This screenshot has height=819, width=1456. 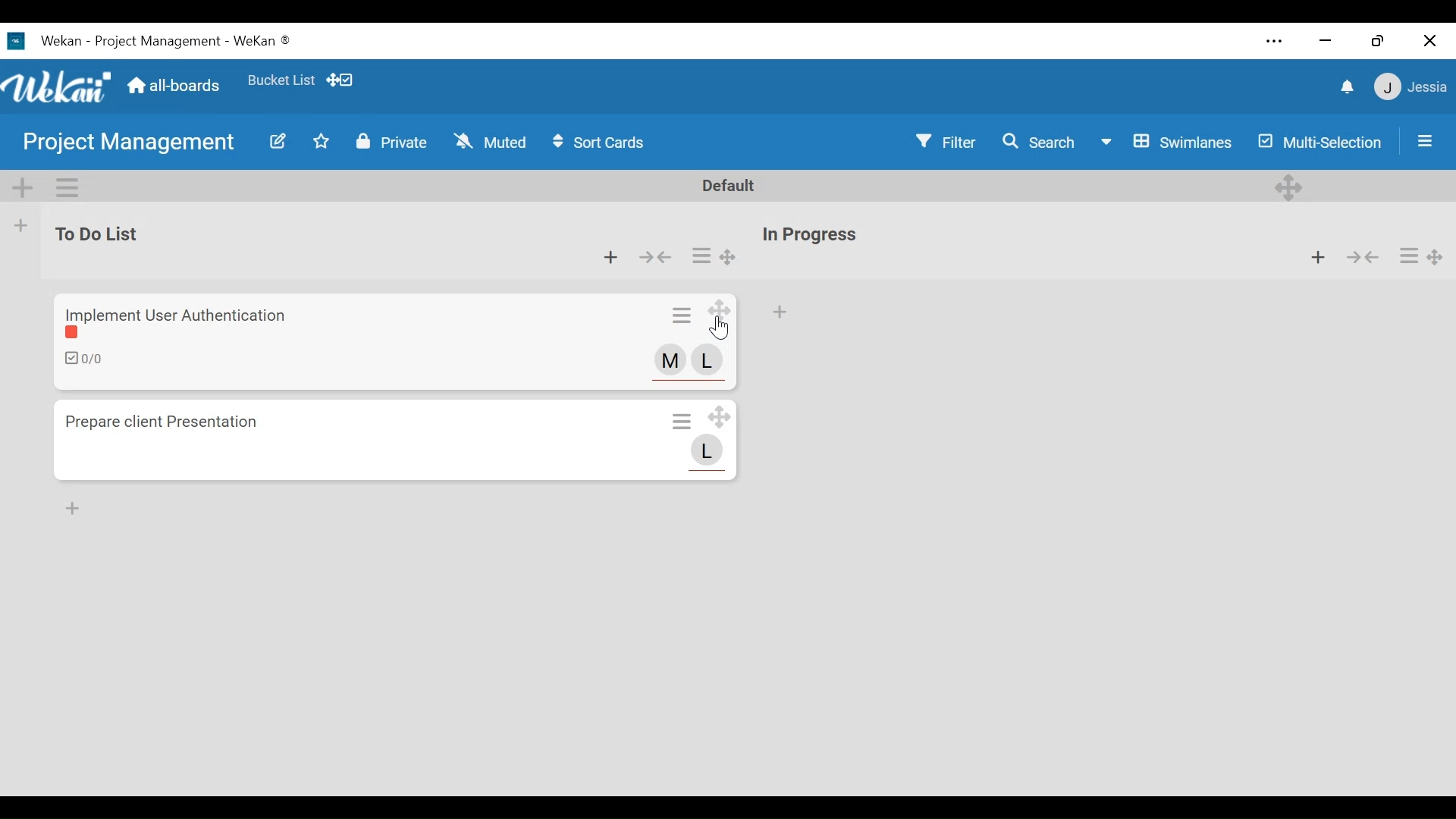 I want to click on Add card to top of the list, so click(x=777, y=312).